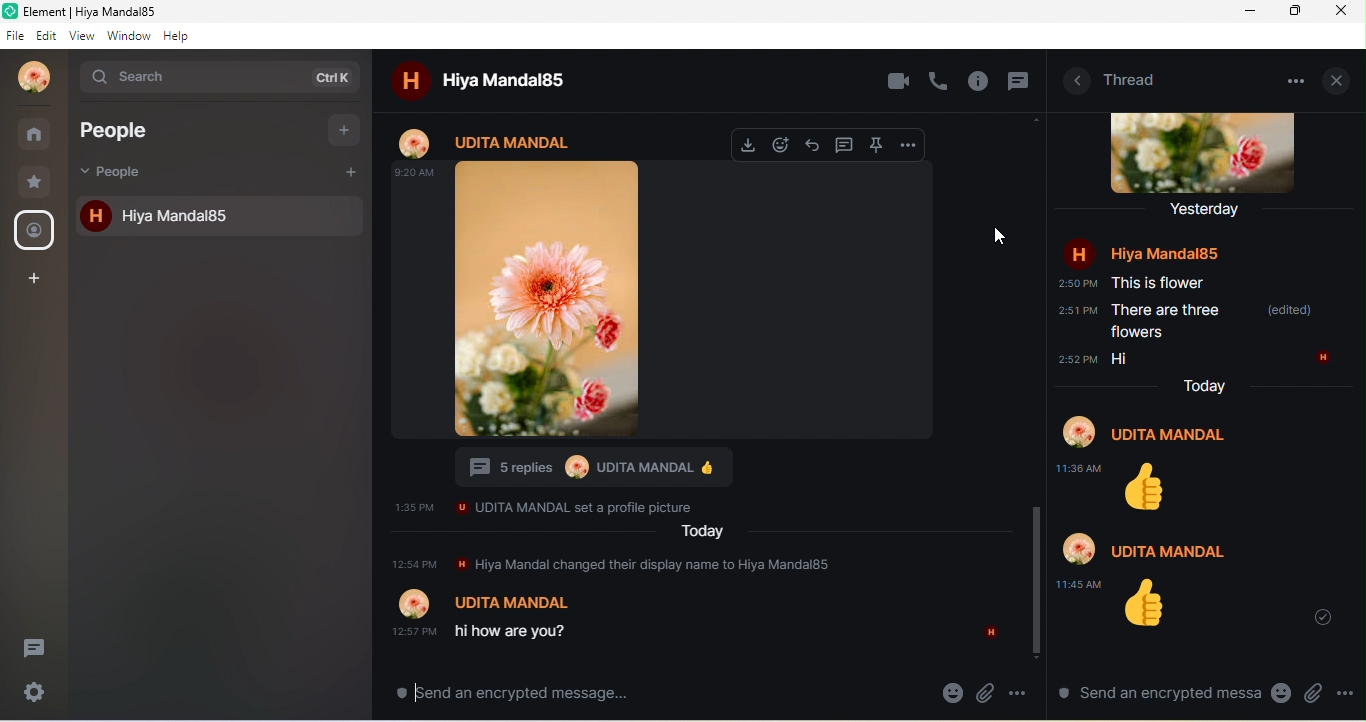 This screenshot has height=722, width=1366. Describe the element at coordinates (1081, 252) in the screenshot. I see `H` at that location.